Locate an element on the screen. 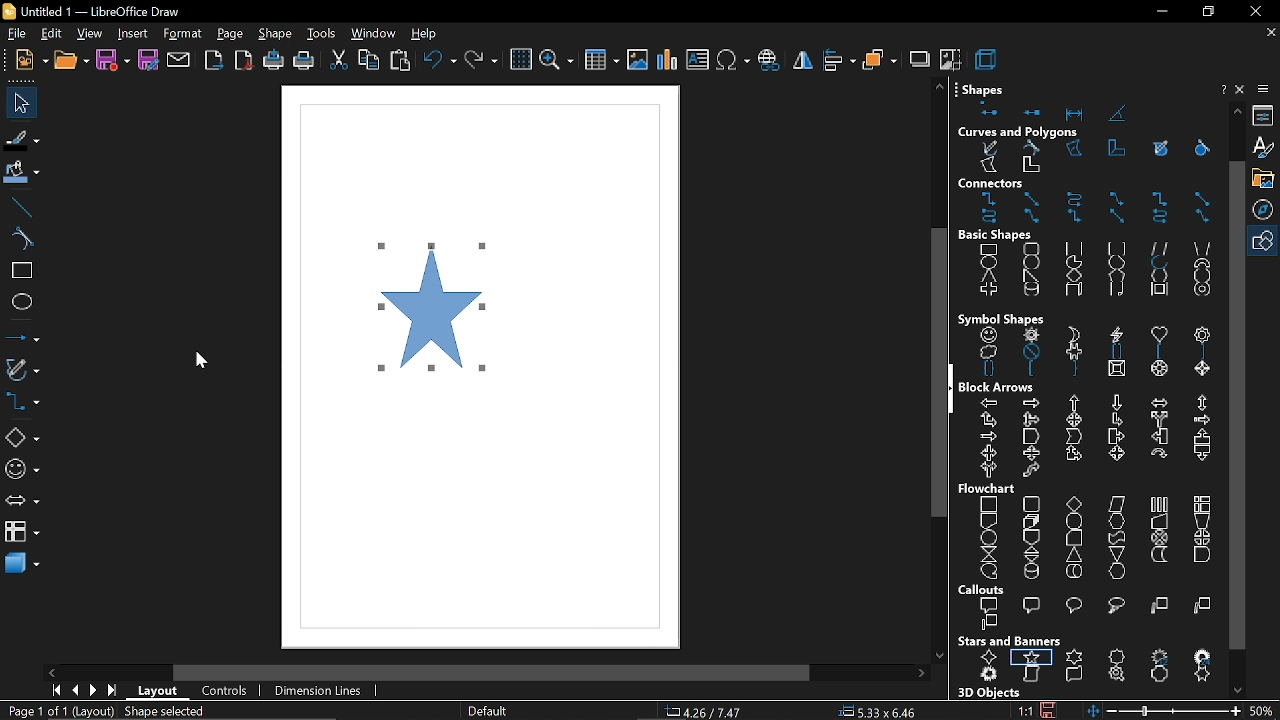 The image size is (1280, 720). curve is located at coordinates (18, 238).